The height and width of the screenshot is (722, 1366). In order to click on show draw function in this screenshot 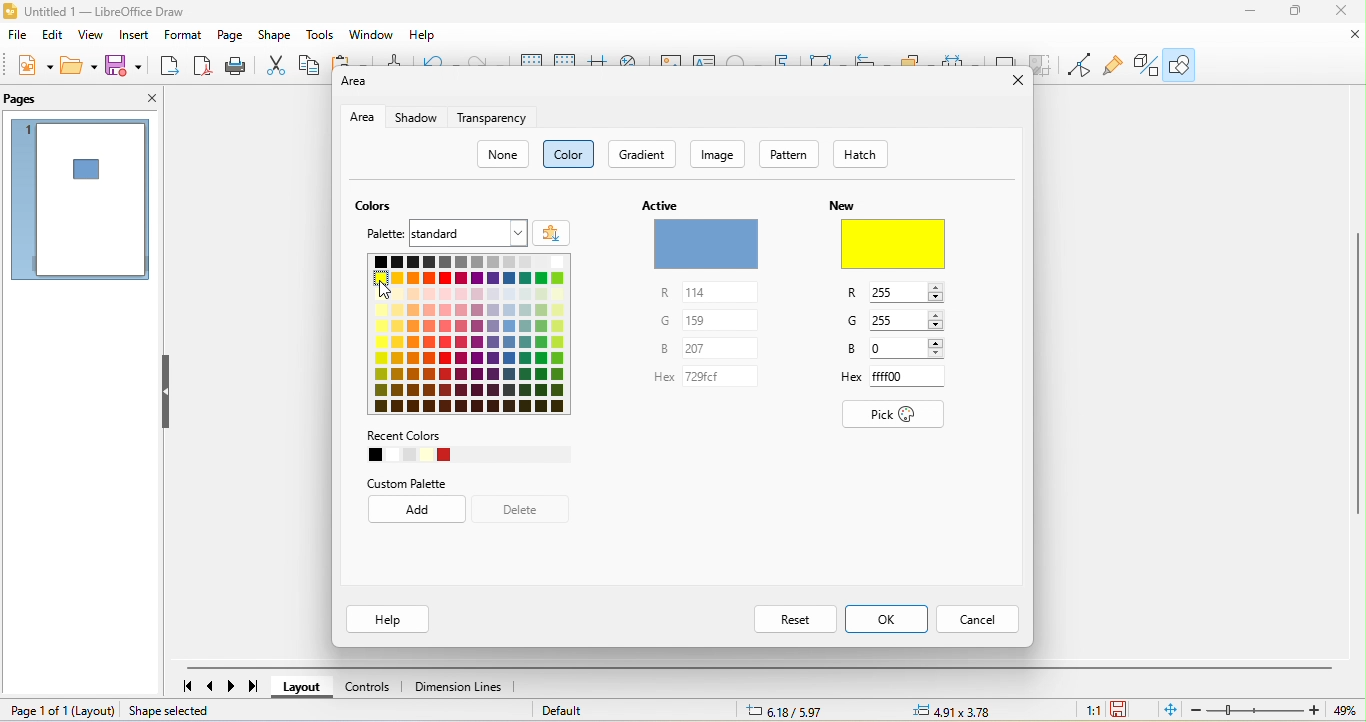, I will do `click(1183, 63)`.